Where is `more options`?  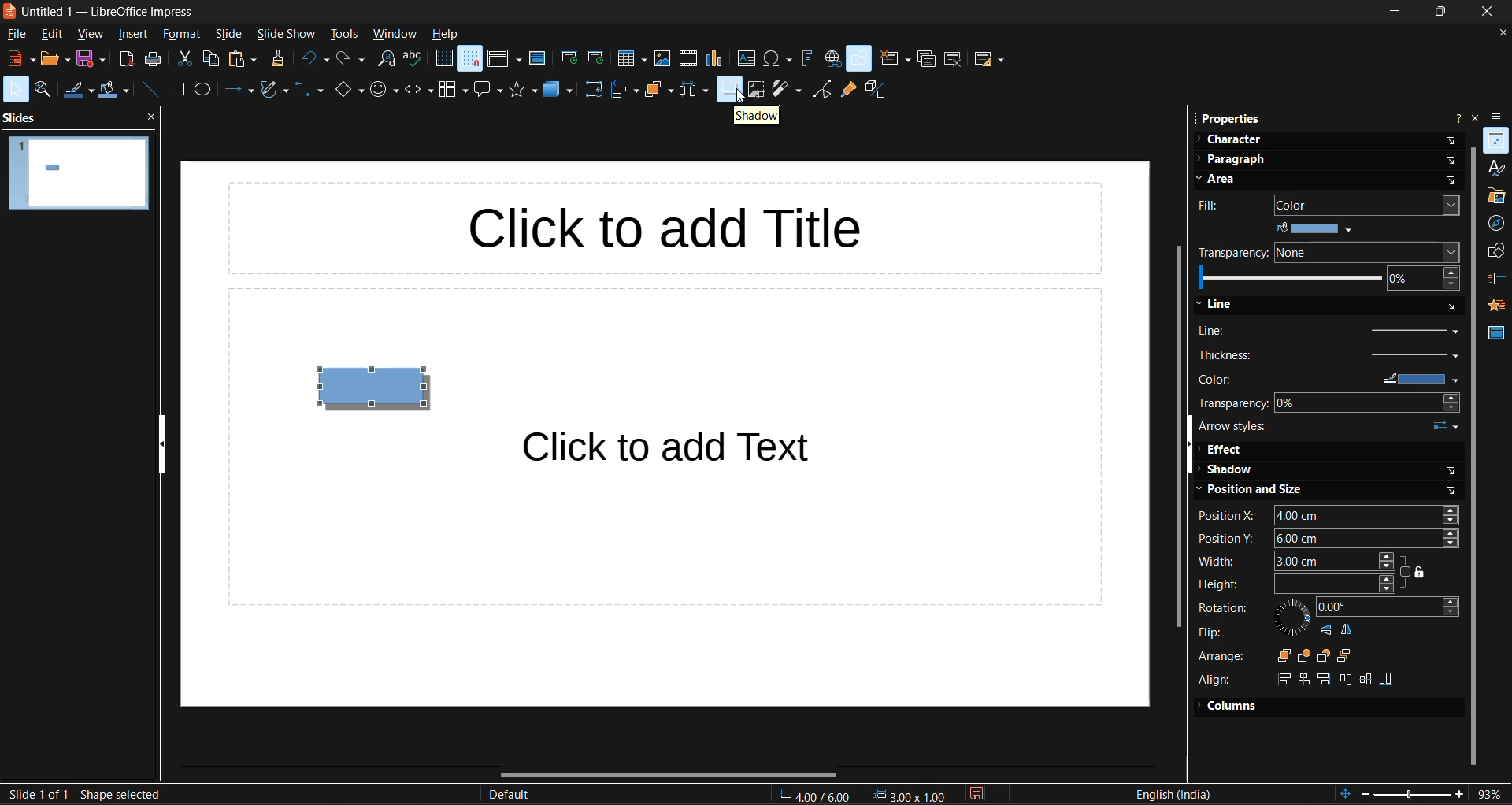
more options is located at coordinates (1453, 142).